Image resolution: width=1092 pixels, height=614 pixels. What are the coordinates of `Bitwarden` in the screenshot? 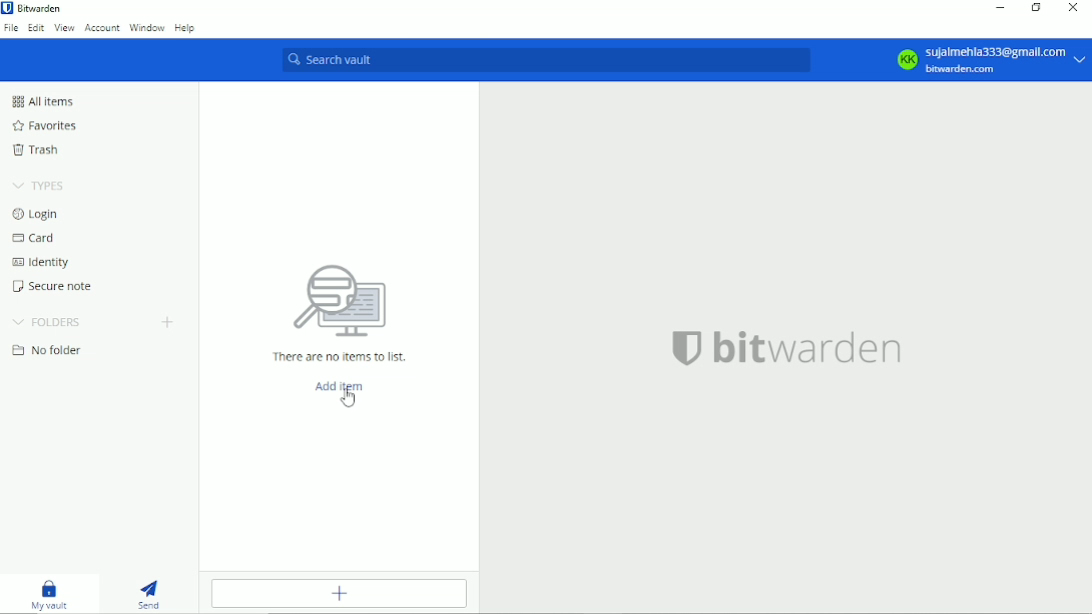 It's located at (40, 8).